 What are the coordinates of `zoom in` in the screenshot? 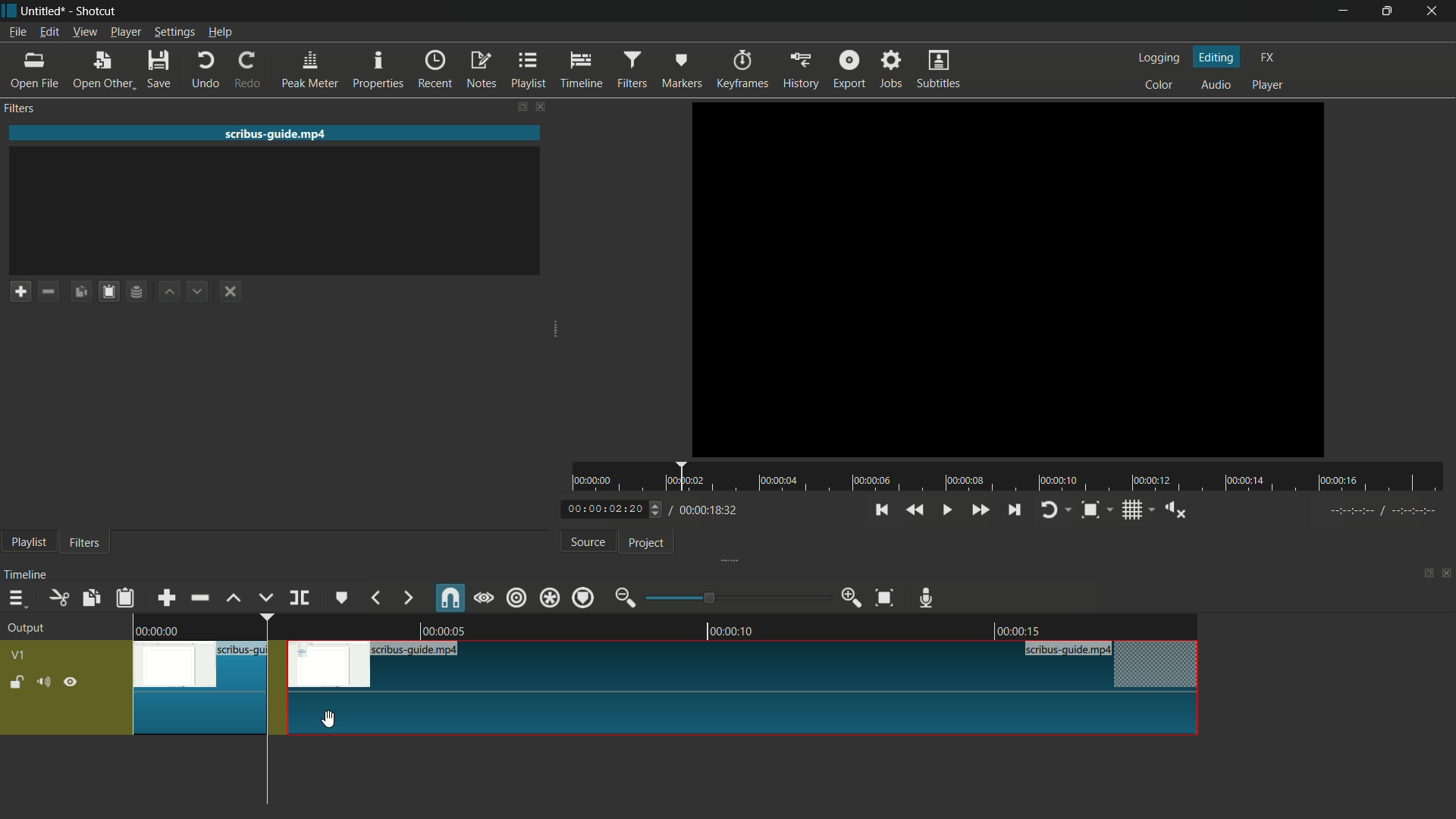 It's located at (850, 598).